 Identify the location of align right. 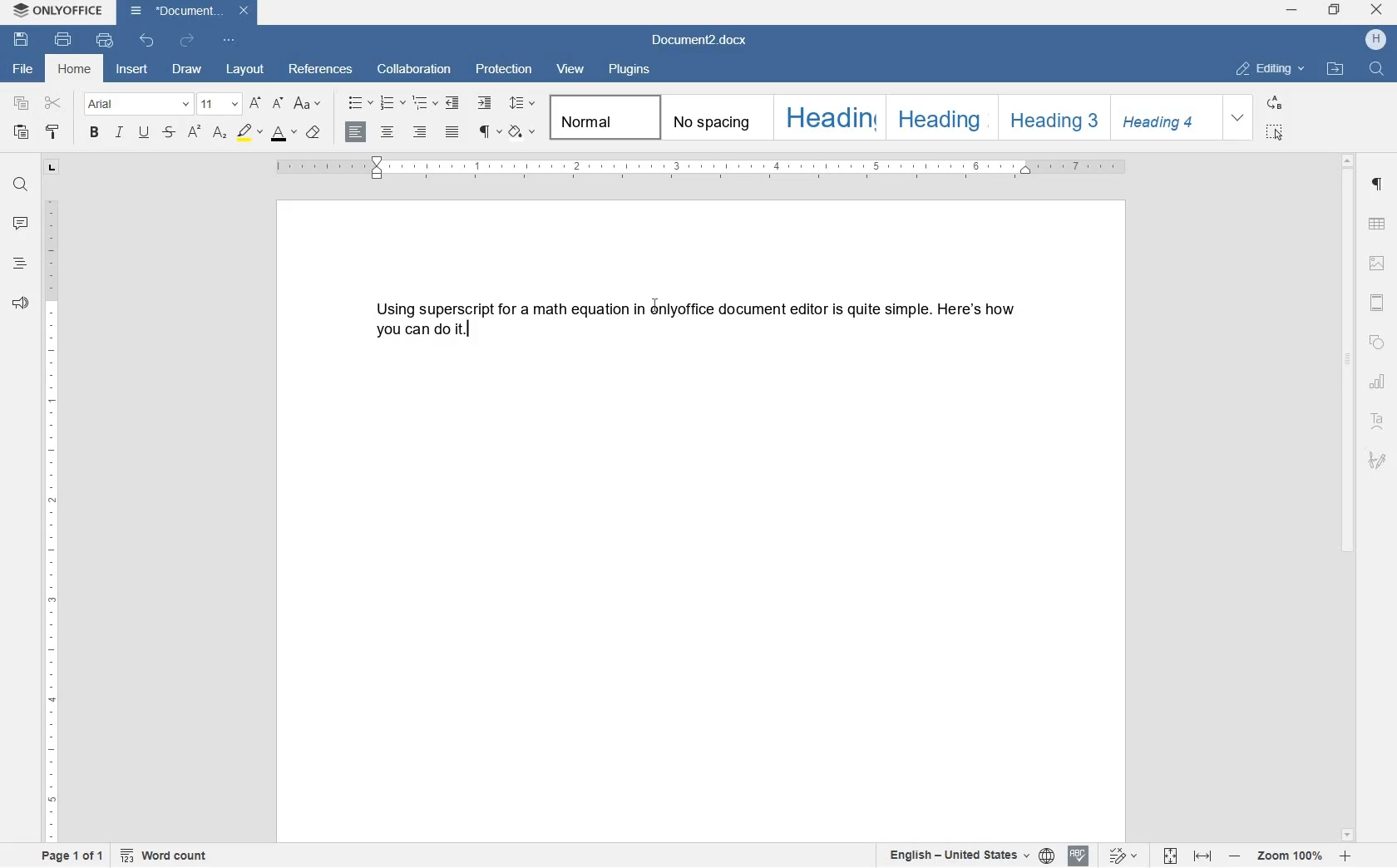
(421, 132).